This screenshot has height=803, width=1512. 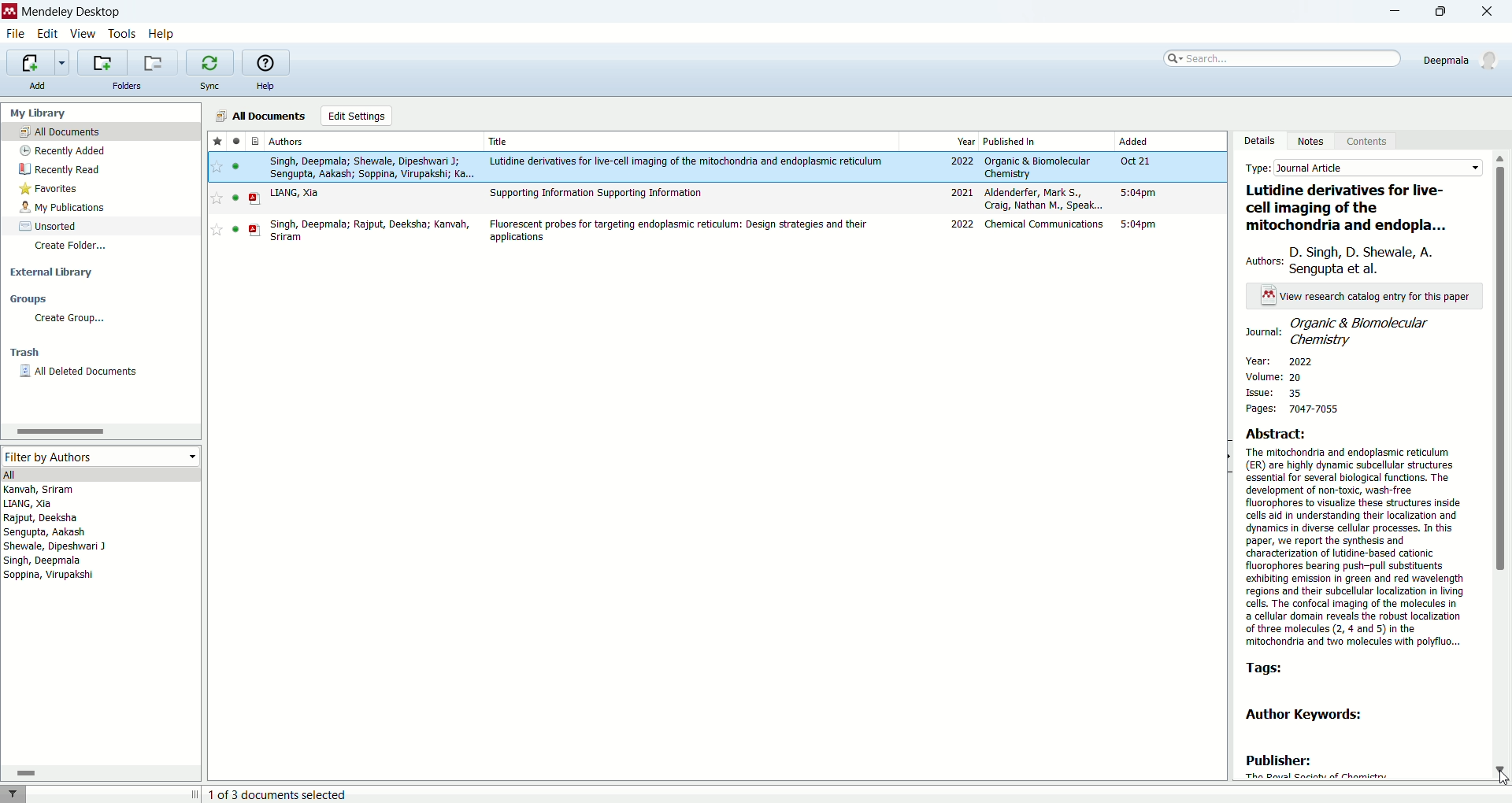 I want to click on singh, deepmala, so click(x=44, y=561).